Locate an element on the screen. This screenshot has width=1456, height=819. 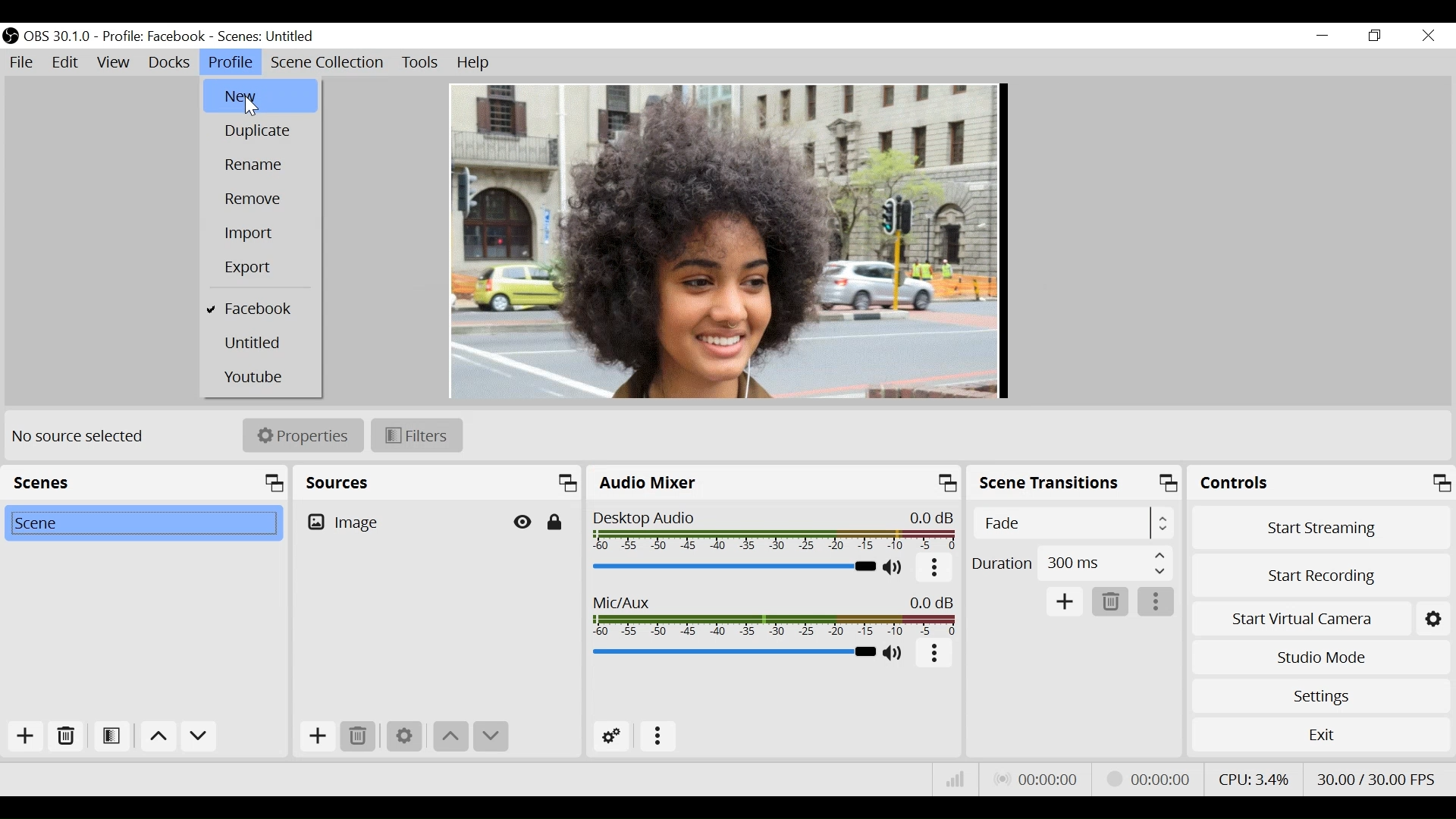
Scenes Panel is located at coordinates (144, 482).